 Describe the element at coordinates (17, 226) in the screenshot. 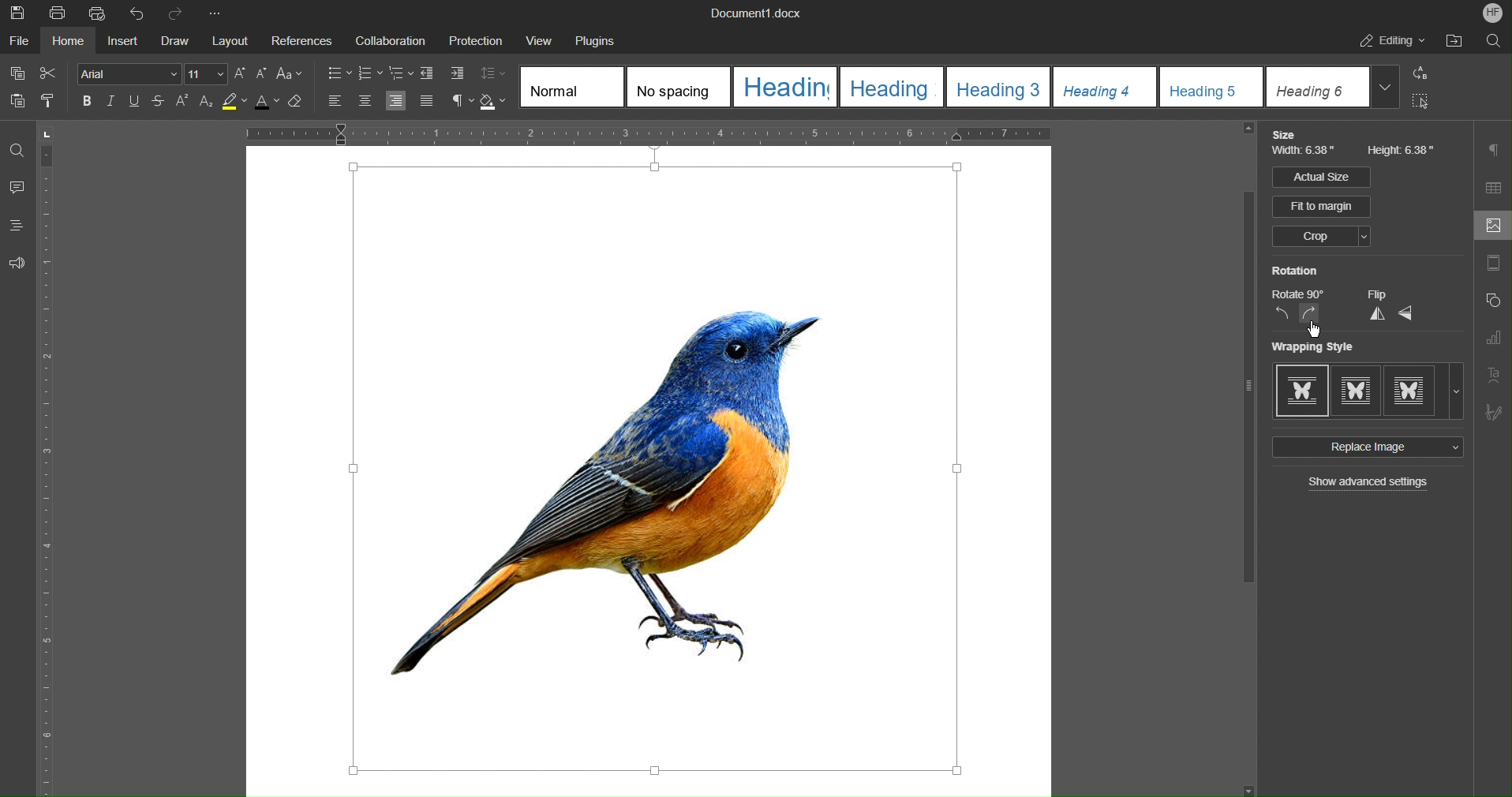

I see `Headings` at that location.